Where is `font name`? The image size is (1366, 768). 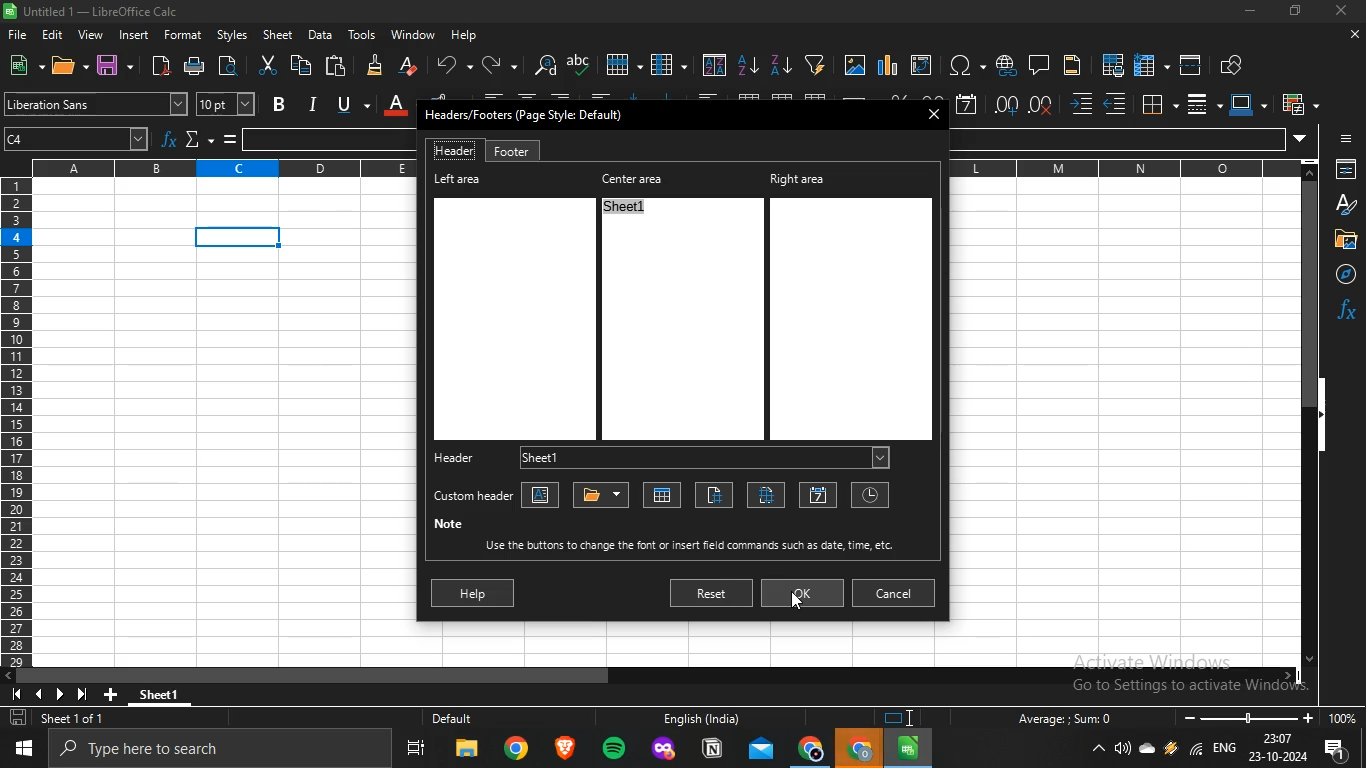
font name is located at coordinates (96, 105).